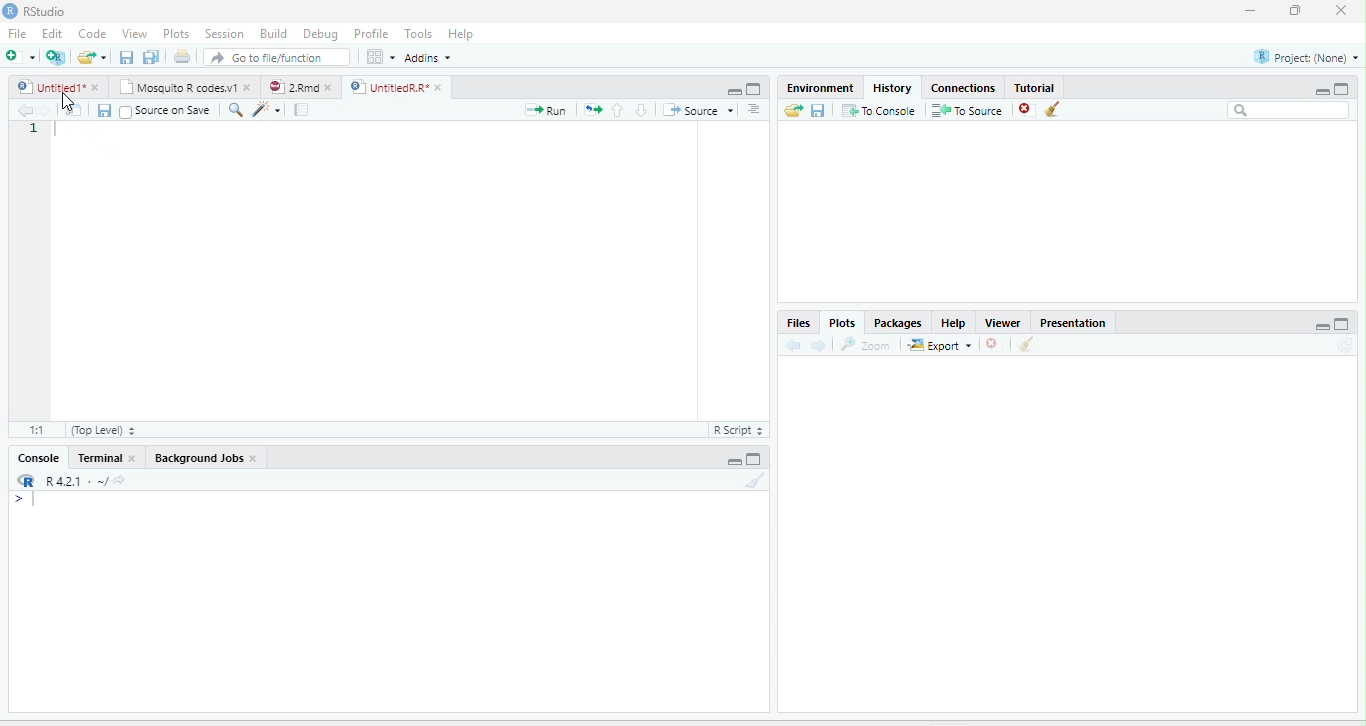 This screenshot has width=1366, height=726. I want to click on Minimize, so click(733, 92).